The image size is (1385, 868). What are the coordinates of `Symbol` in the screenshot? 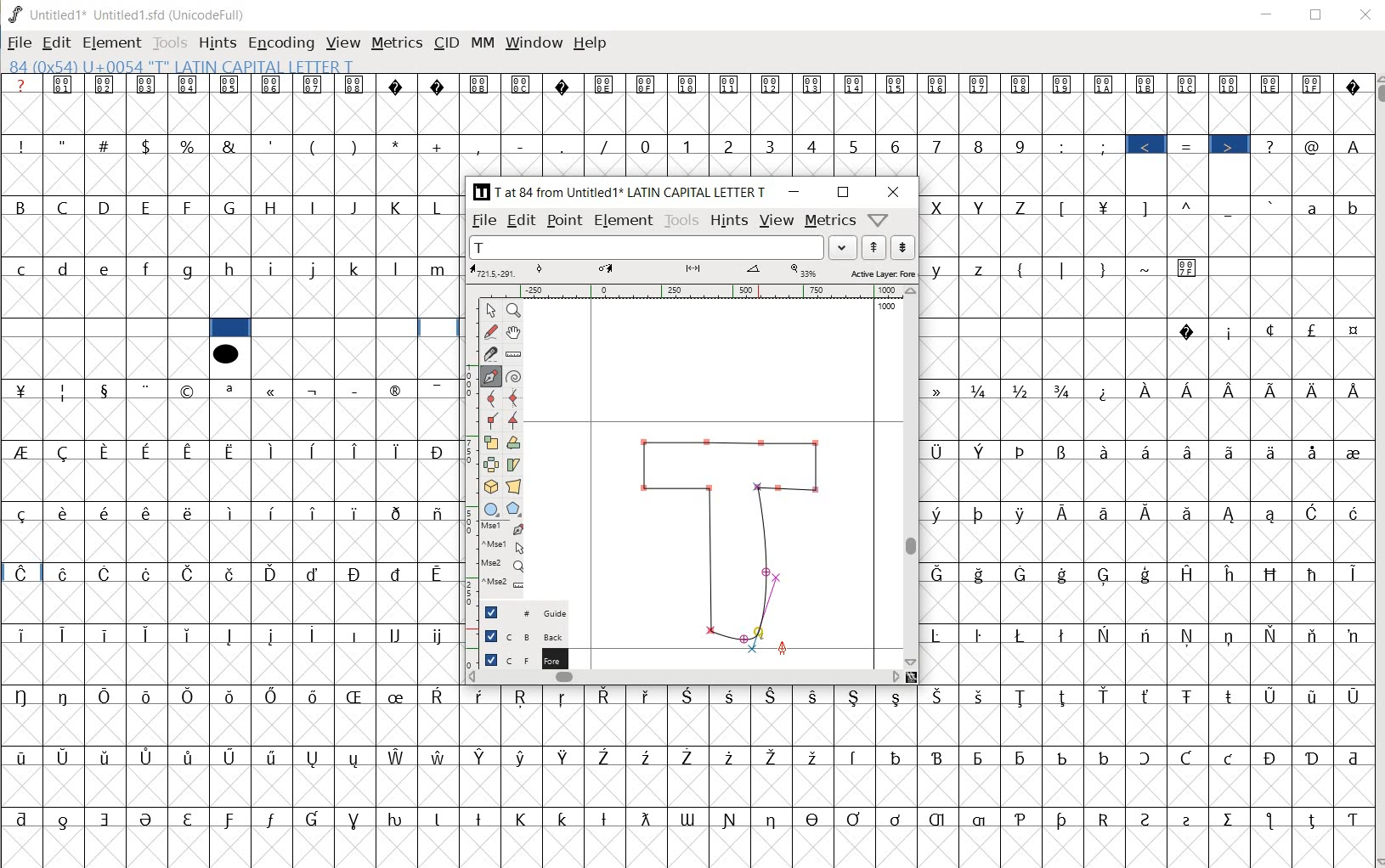 It's located at (647, 84).